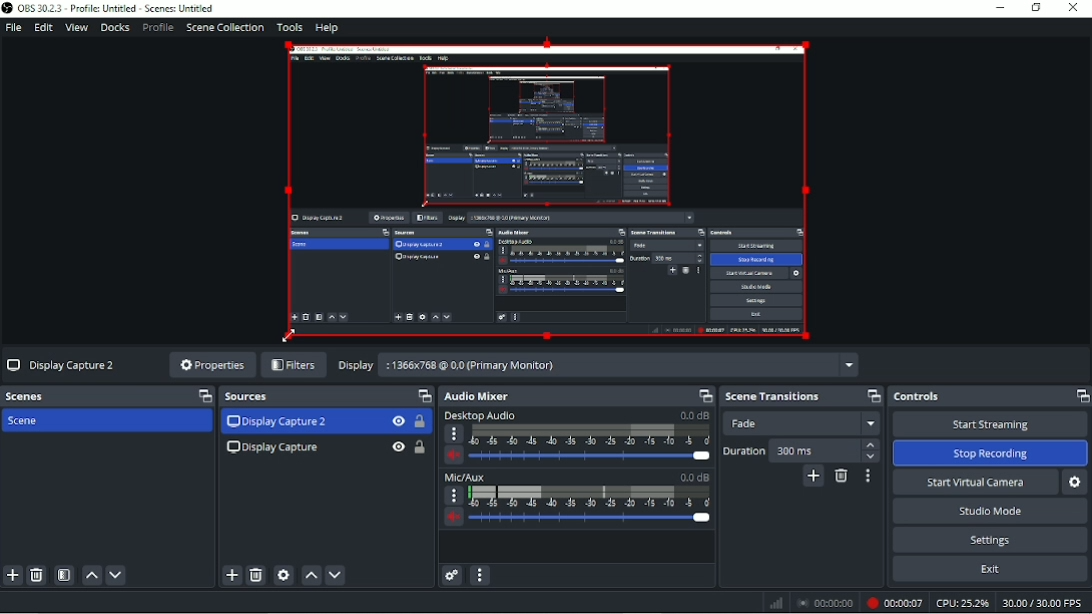 The image size is (1092, 614). Describe the element at coordinates (66, 362) in the screenshot. I see `Display Capture 2` at that location.